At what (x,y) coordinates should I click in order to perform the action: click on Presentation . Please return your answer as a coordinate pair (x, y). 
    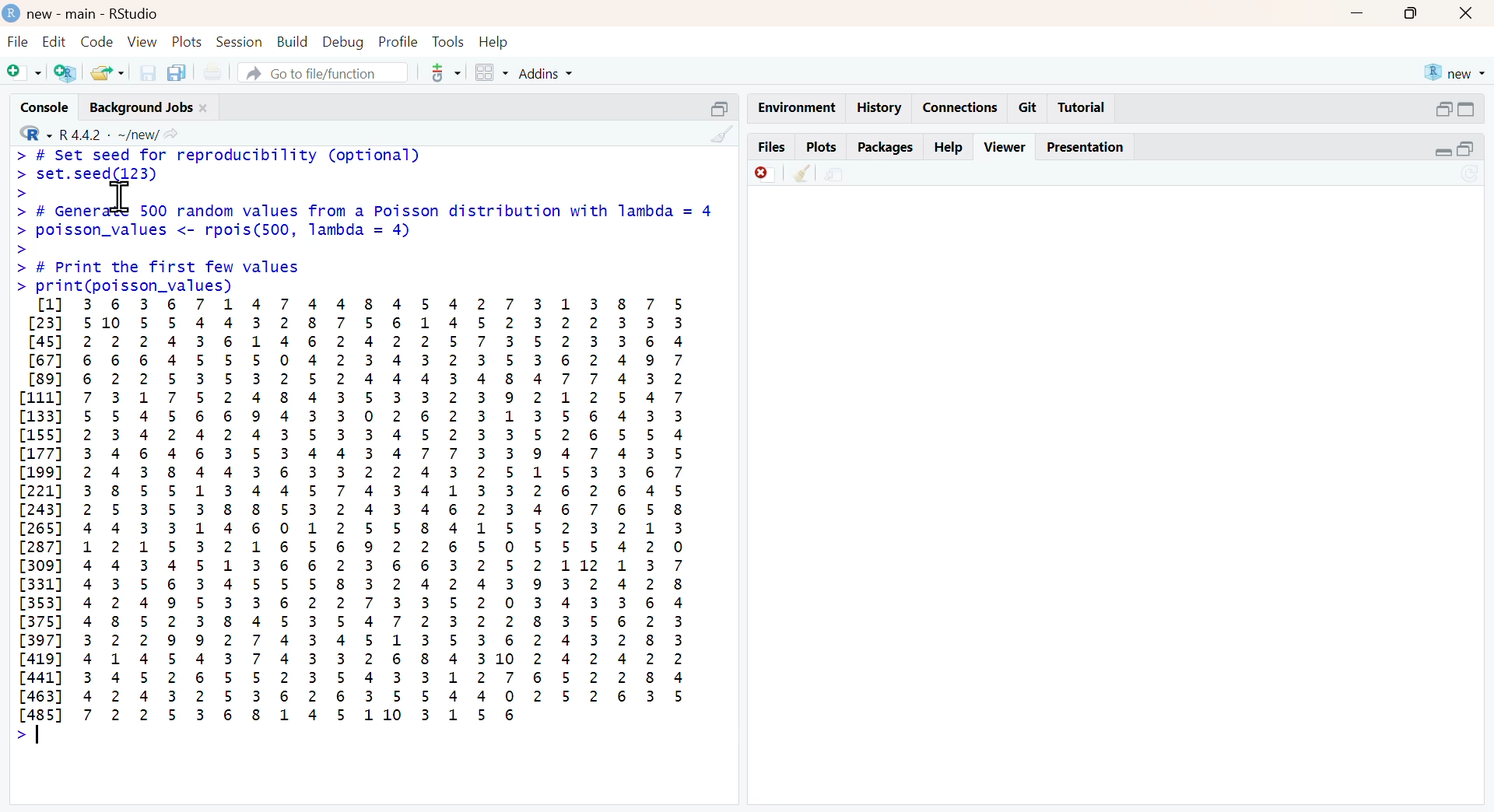
    Looking at the image, I should click on (1085, 147).